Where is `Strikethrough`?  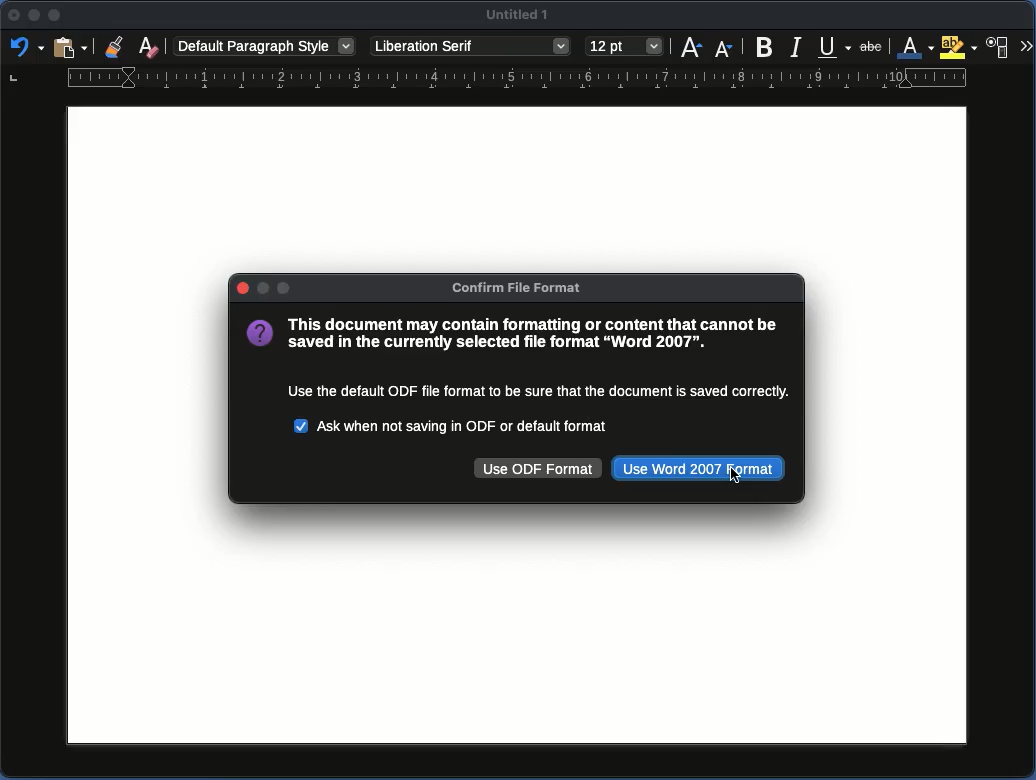
Strikethrough is located at coordinates (873, 45).